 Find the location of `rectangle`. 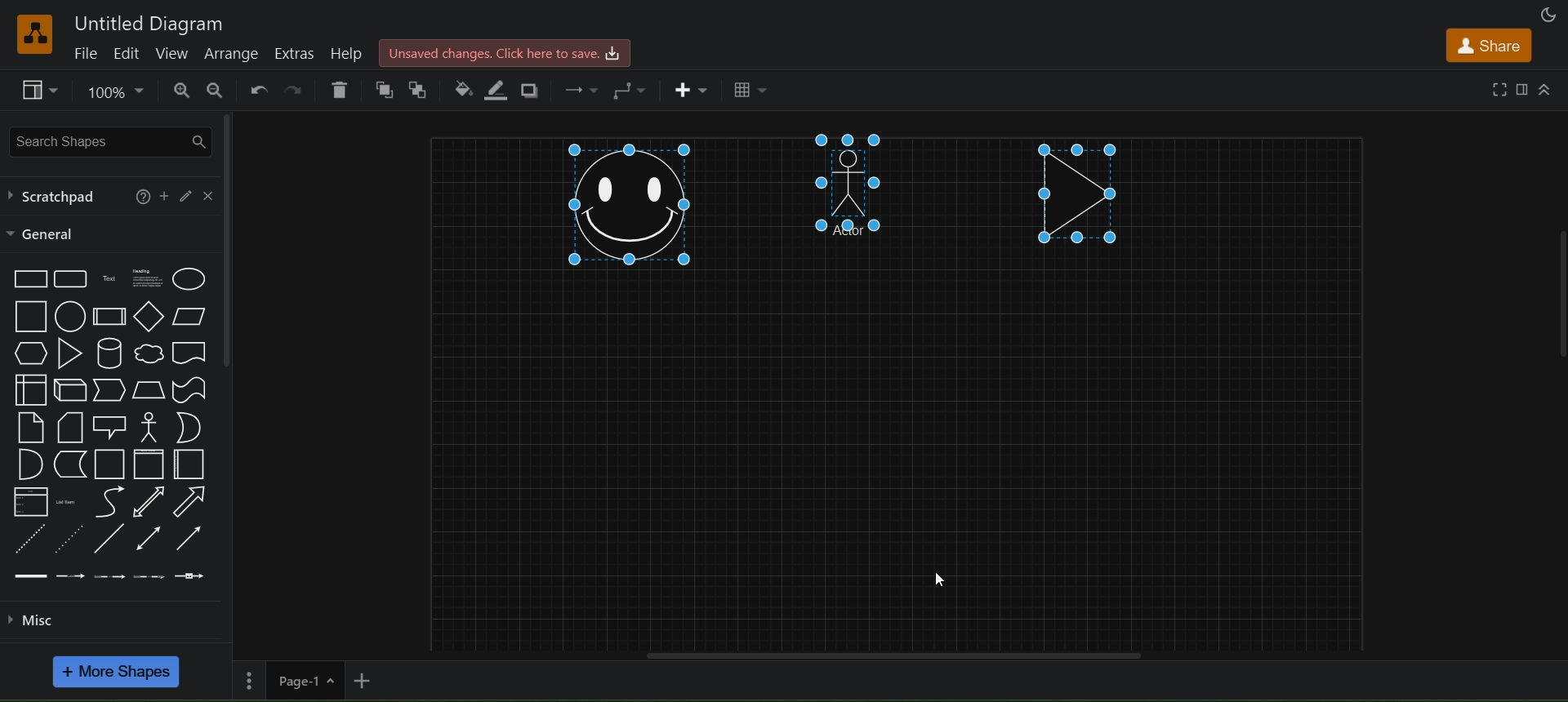

rectangle is located at coordinates (28, 280).